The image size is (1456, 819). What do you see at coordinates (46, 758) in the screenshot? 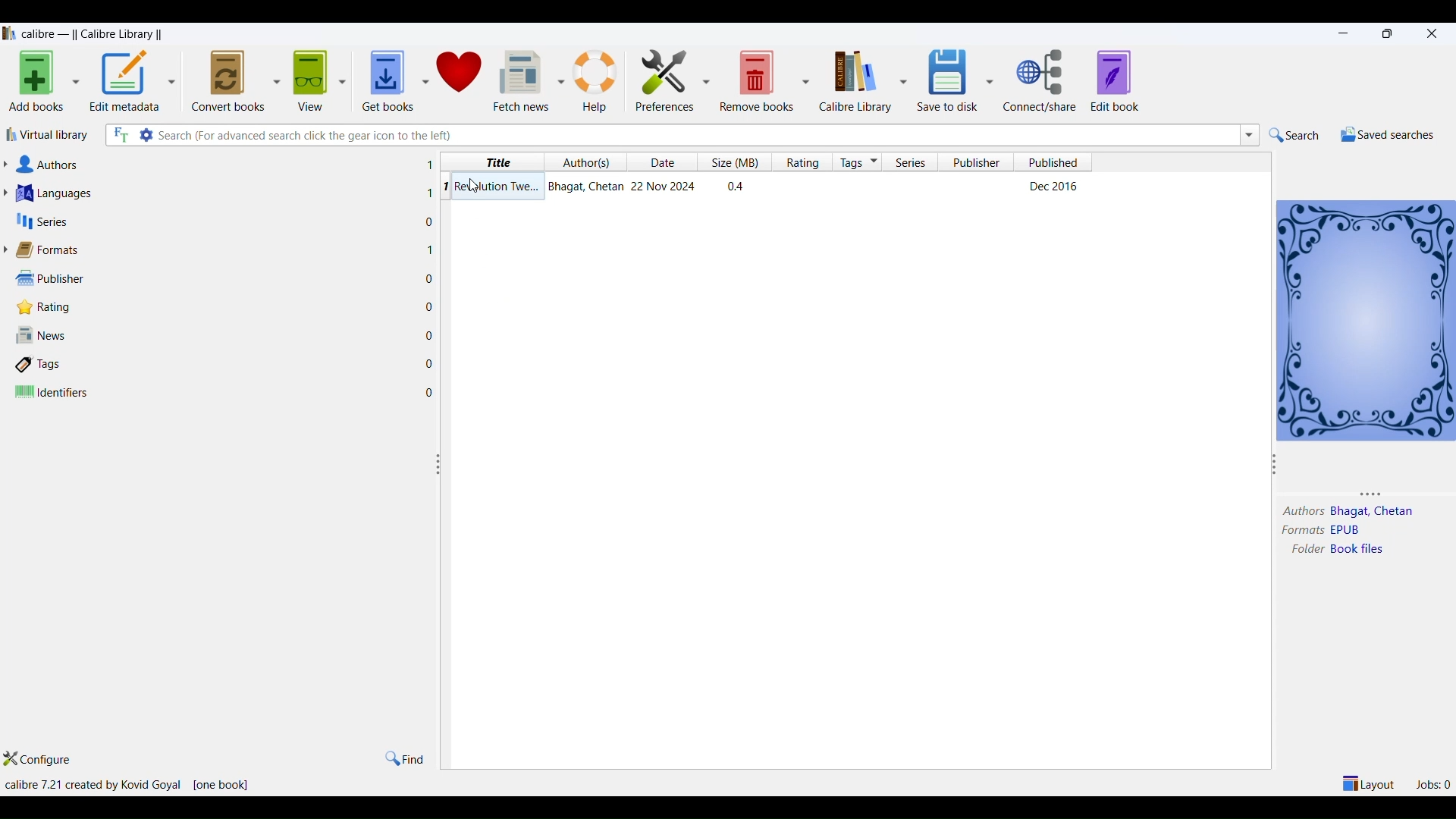
I see `configure` at bounding box center [46, 758].